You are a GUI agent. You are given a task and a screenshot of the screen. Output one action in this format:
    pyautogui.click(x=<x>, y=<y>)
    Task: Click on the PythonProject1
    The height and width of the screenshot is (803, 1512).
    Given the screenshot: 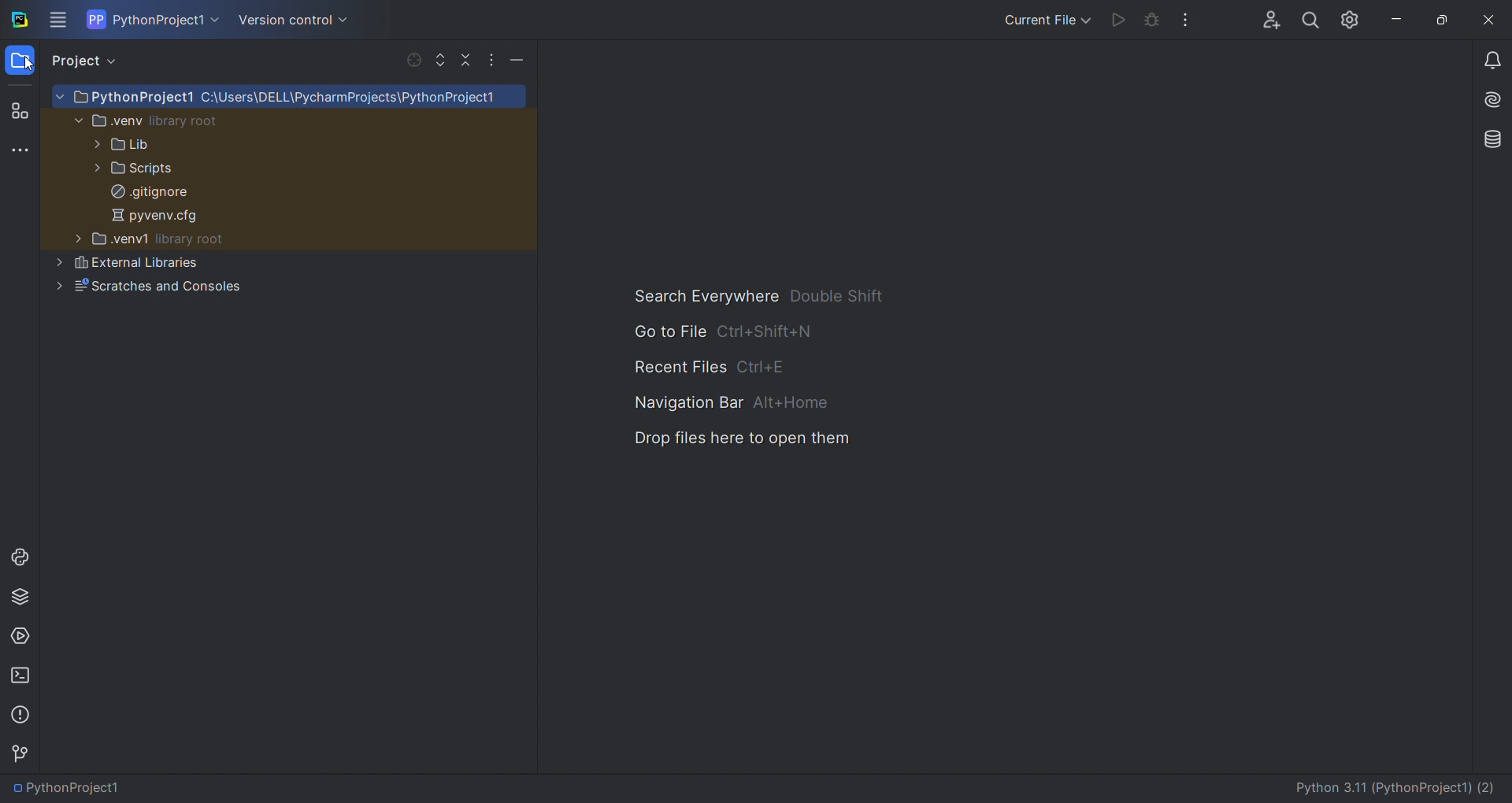 What is the action you would take?
    pyautogui.click(x=82, y=787)
    